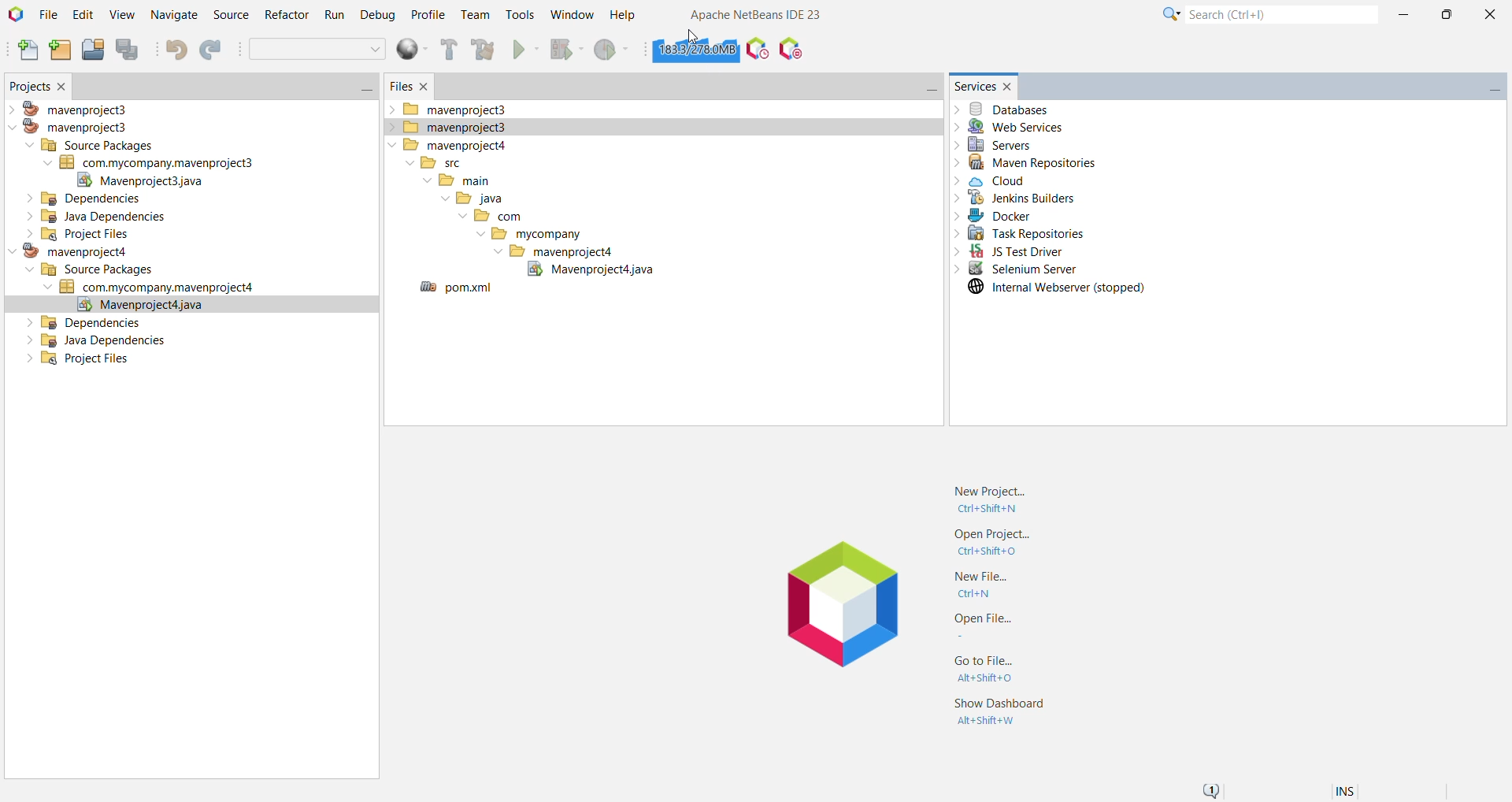 The height and width of the screenshot is (802, 1512). Describe the element at coordinates (86, 201) in the screenshot. I see `Dependencies` at that location.